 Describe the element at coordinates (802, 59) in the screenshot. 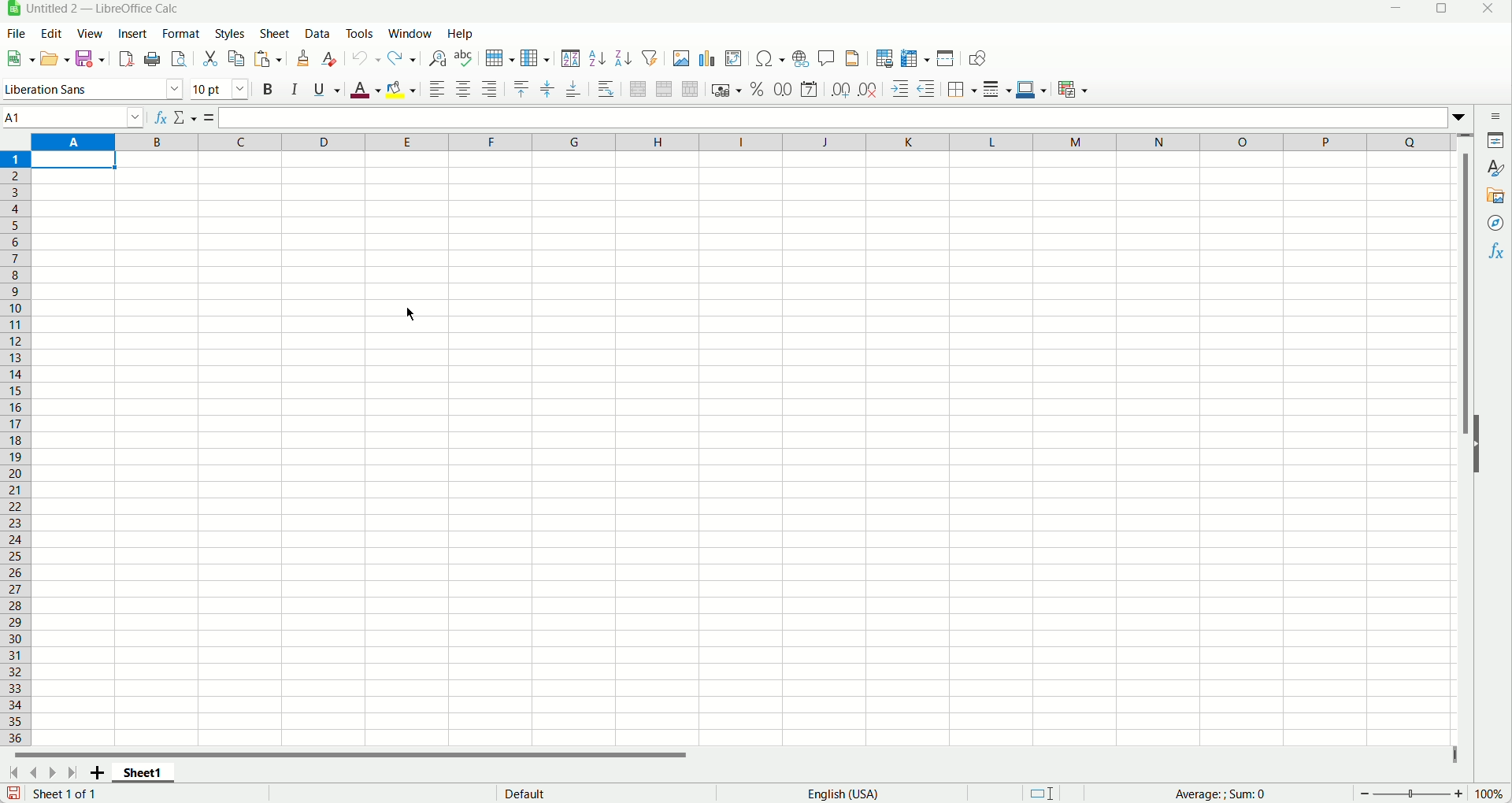

I see `Insert hyperlink` at that location.